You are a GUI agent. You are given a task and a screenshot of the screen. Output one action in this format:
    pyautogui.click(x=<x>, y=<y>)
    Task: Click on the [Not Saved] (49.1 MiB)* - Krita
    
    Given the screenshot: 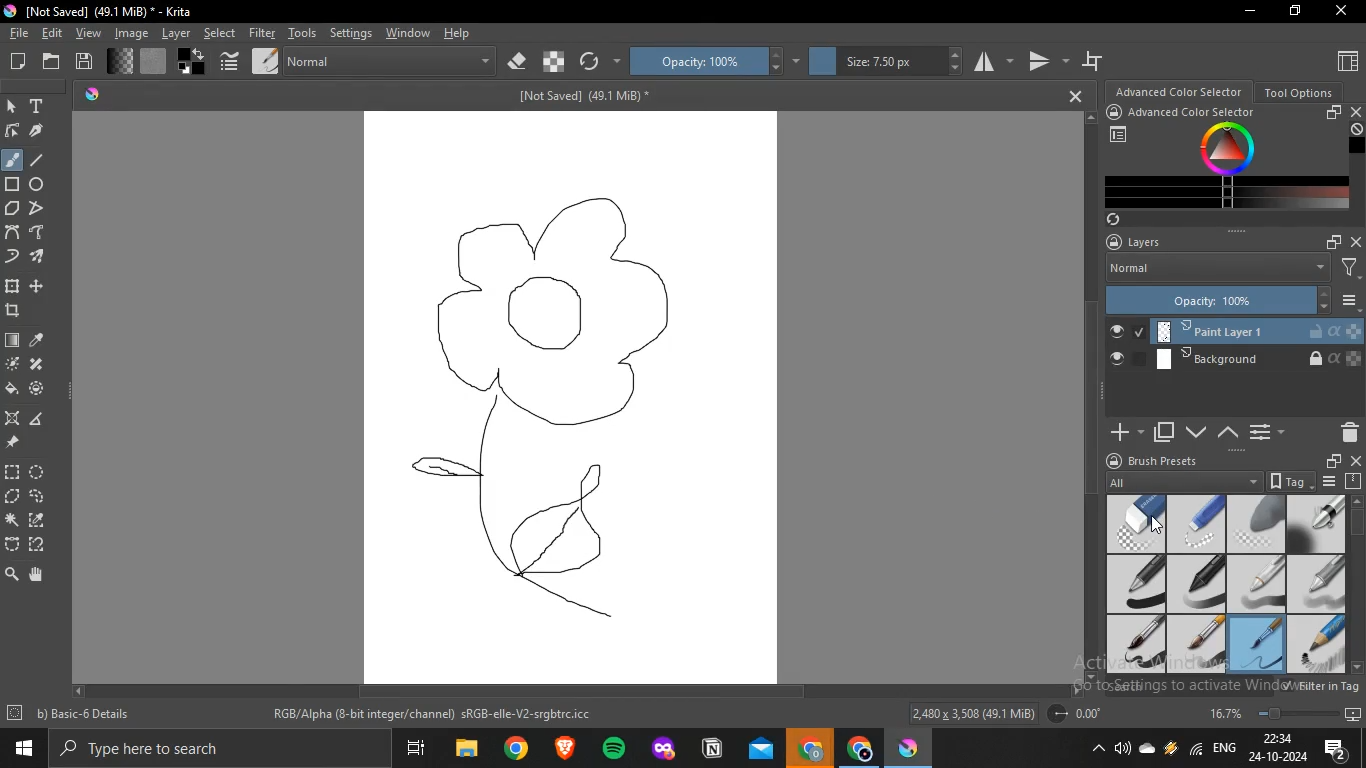 What is the action you would take?
    pyautogui.click(x=116, y=13)
    